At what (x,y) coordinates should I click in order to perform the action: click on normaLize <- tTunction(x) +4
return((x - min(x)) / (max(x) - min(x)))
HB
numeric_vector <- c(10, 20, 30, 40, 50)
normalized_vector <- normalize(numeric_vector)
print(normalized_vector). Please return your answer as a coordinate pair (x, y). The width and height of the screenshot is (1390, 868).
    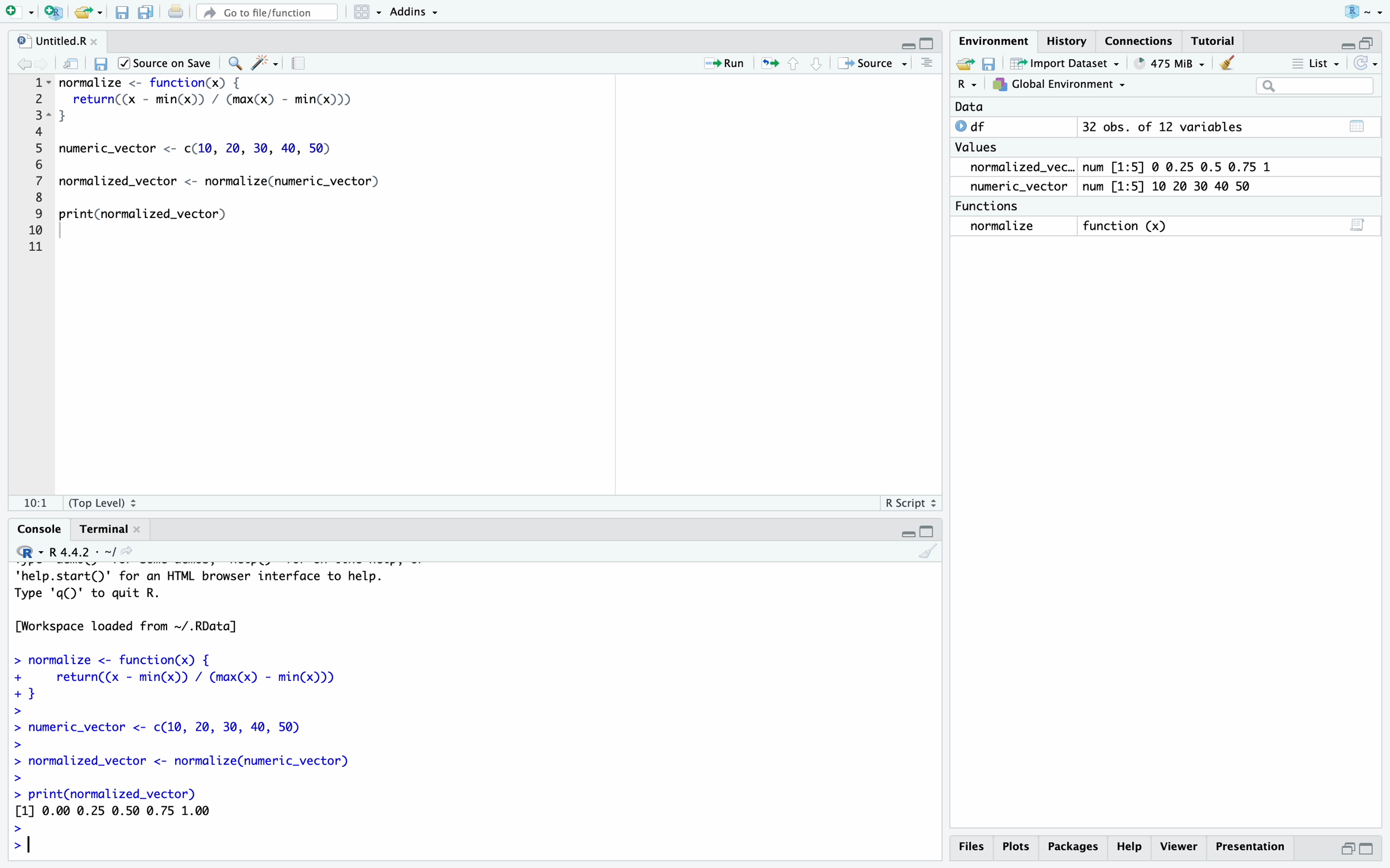
    Looking at the image, I should click on (241, 171).